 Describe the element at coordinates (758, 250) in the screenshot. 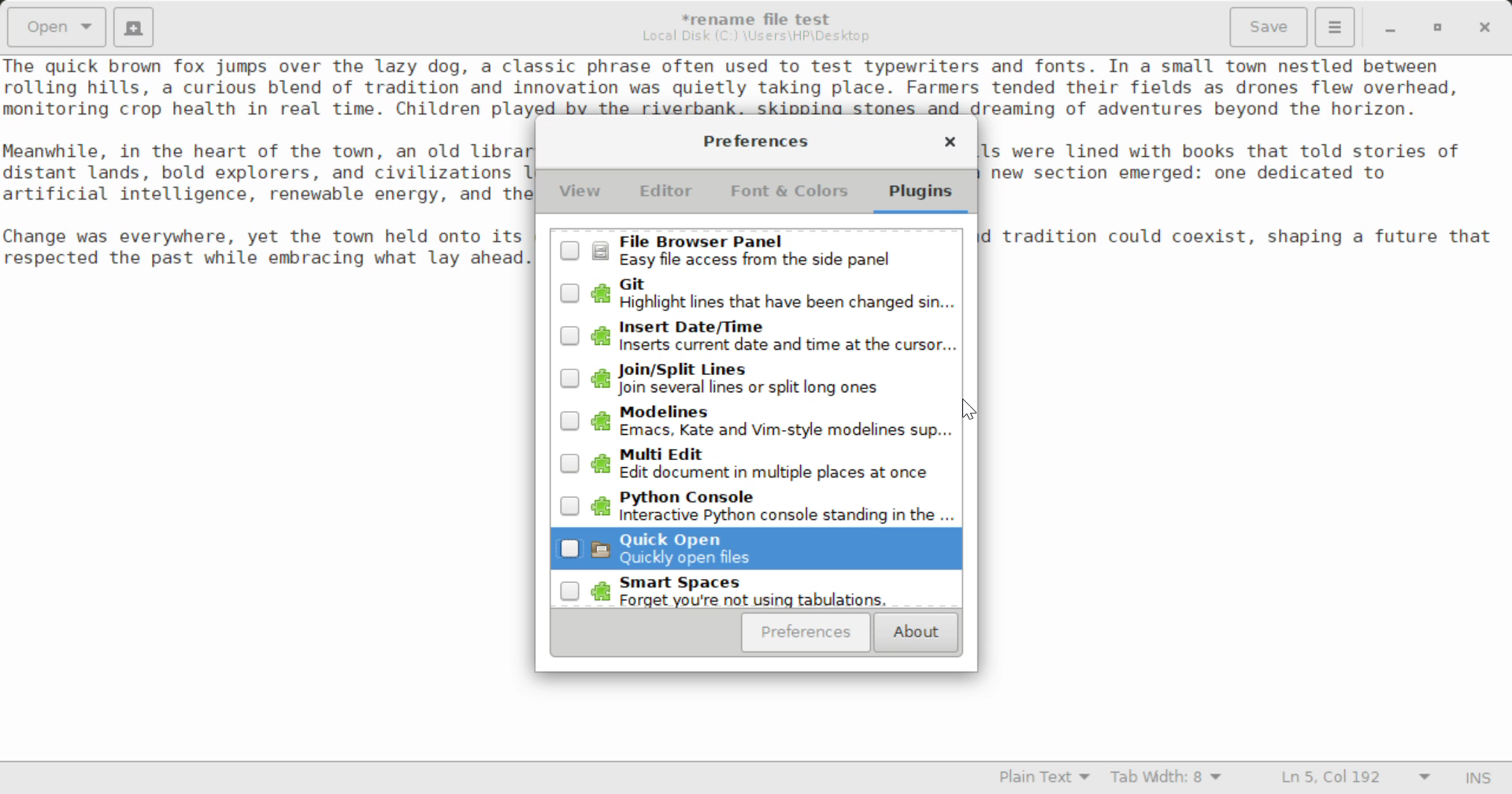

I see `Unselected File Browser Panel ` at that location.